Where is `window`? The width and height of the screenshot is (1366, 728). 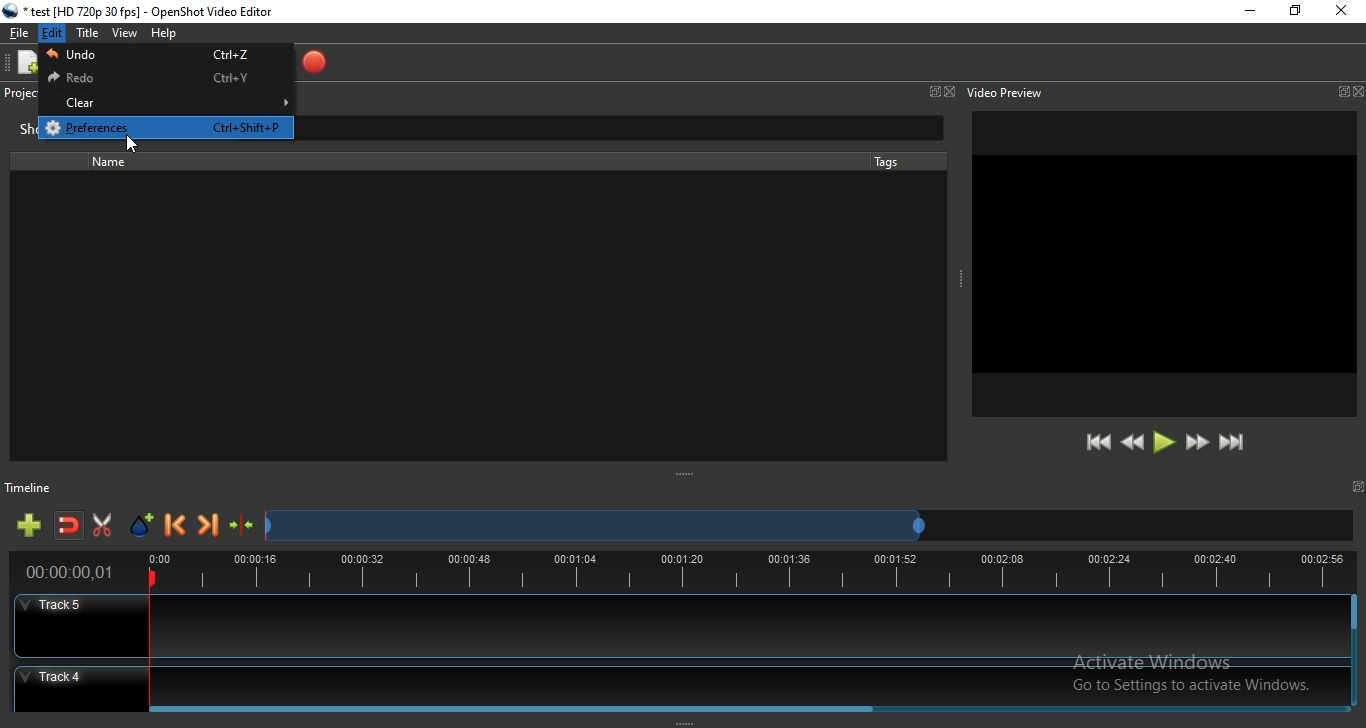
window is located at coordinates (1341, 92).